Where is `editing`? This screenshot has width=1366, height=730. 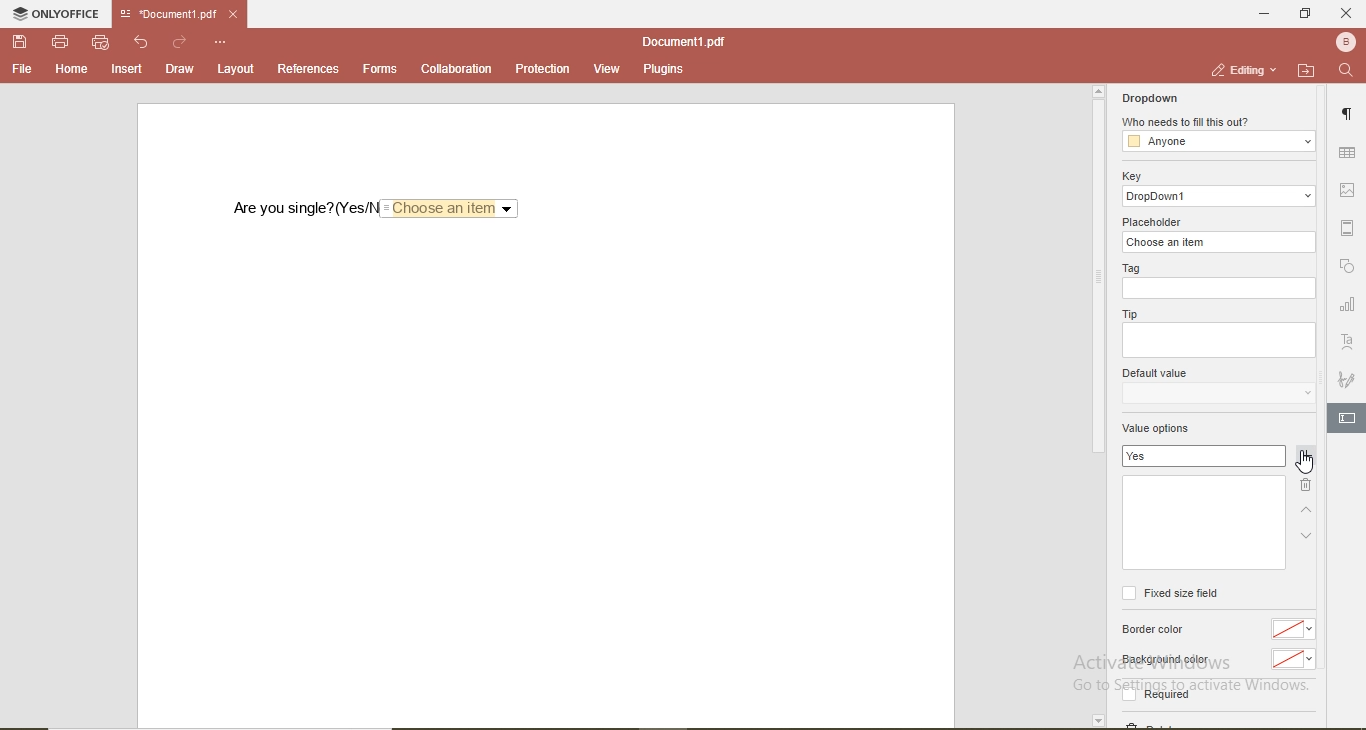
editing is located at coordinates (1246, 68).